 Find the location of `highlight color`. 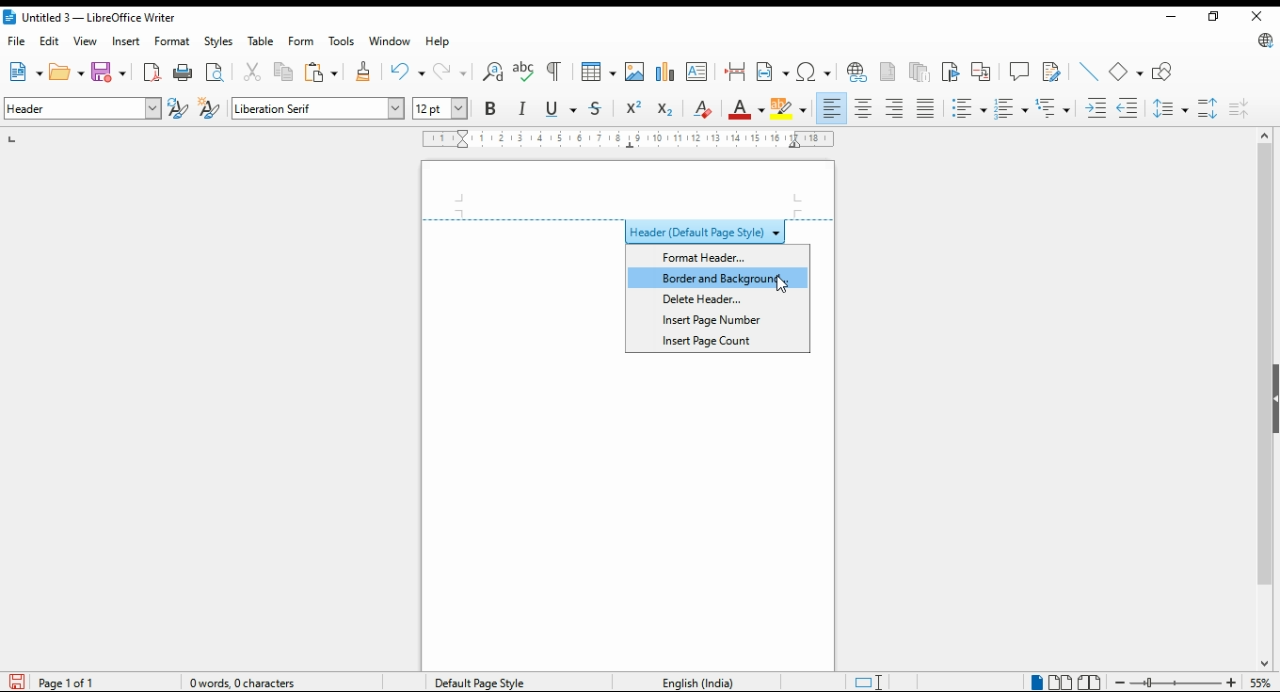

highlight color is located at coordinates (792, 110).